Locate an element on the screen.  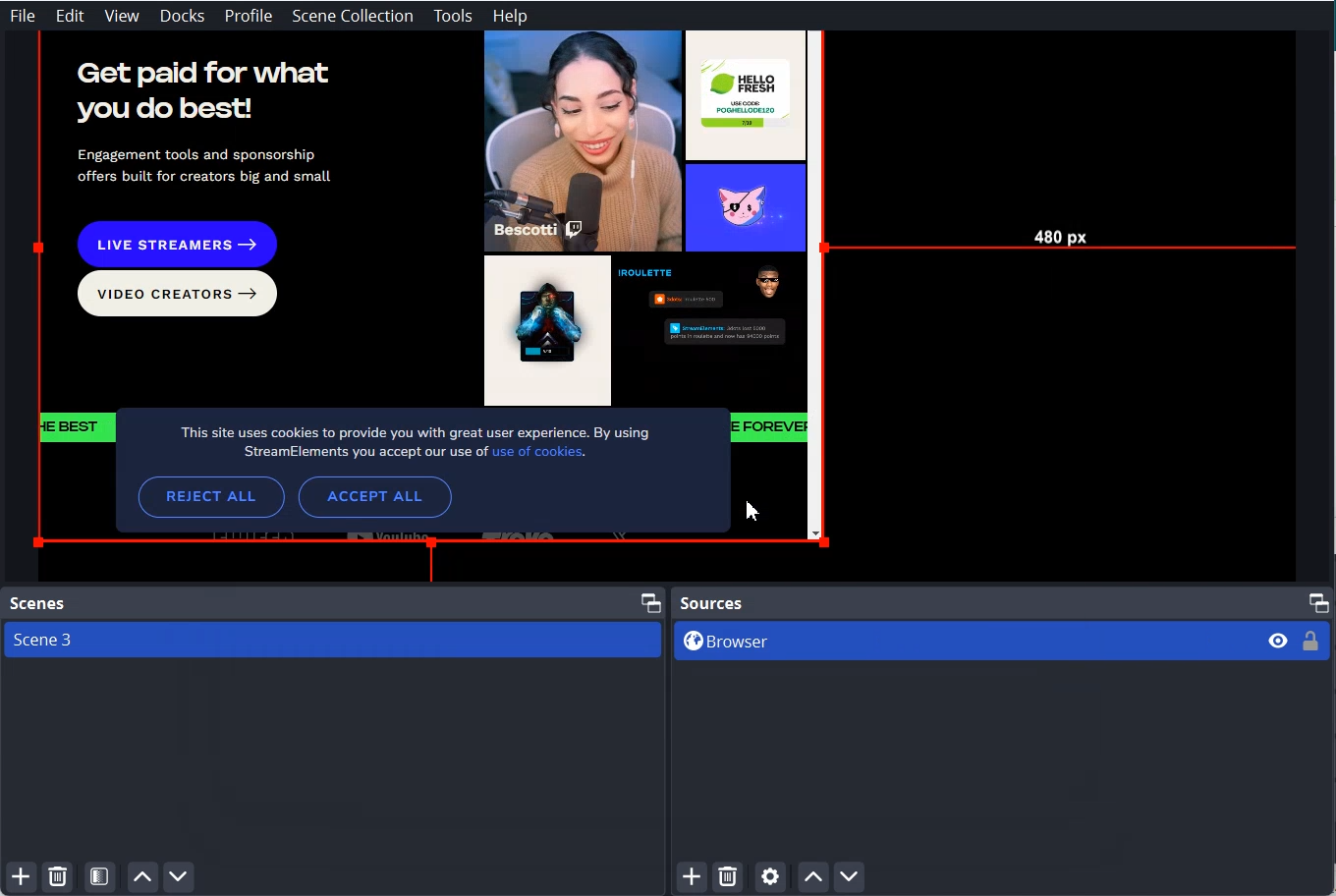
Docks is located at coordinates (183, 16).